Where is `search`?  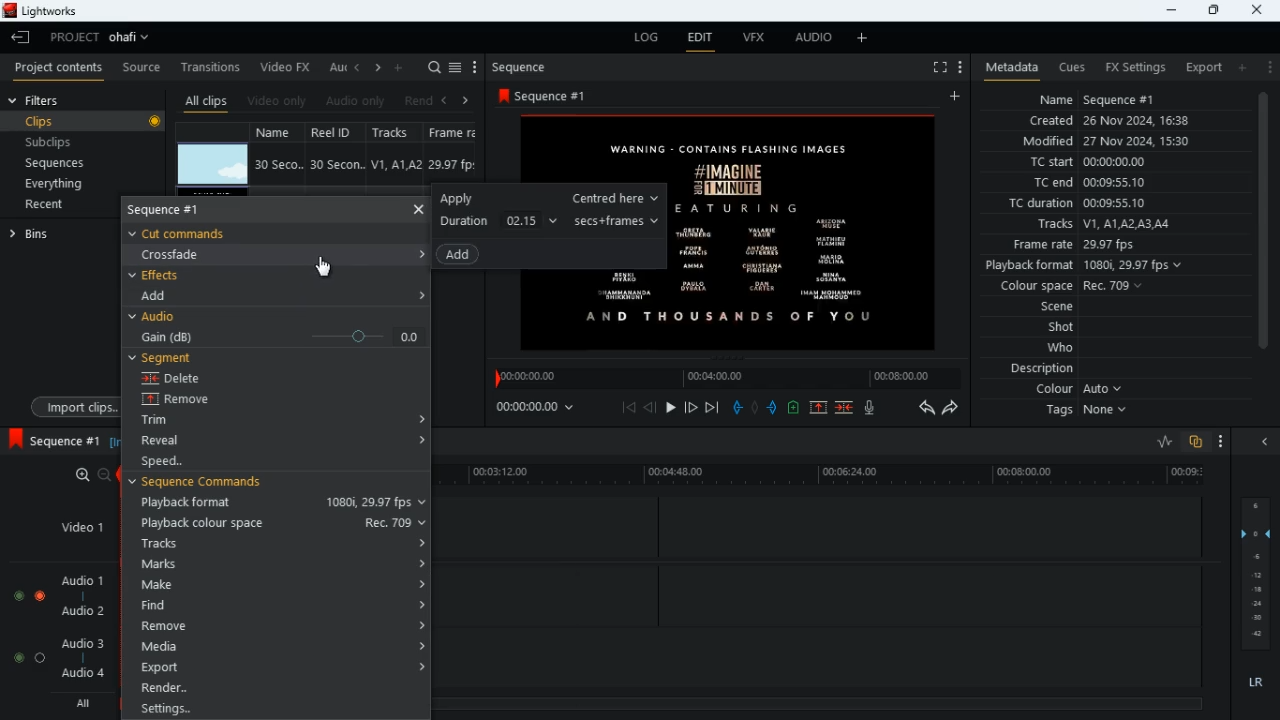
search is located at coordinates (434, 68).